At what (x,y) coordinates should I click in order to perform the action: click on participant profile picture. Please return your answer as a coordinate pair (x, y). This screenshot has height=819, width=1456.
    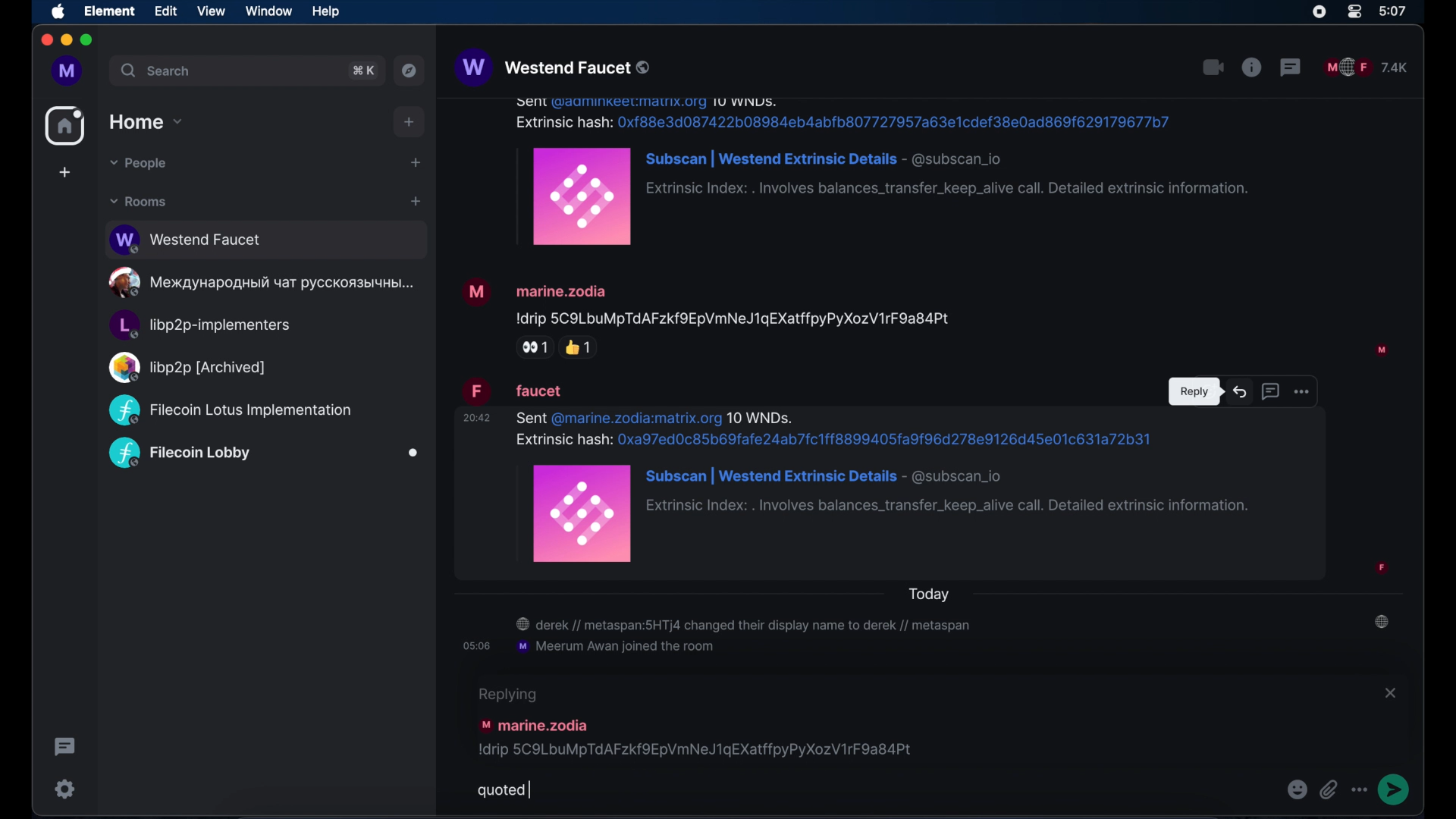
    Looking at the image, I should click on (1381, 122).